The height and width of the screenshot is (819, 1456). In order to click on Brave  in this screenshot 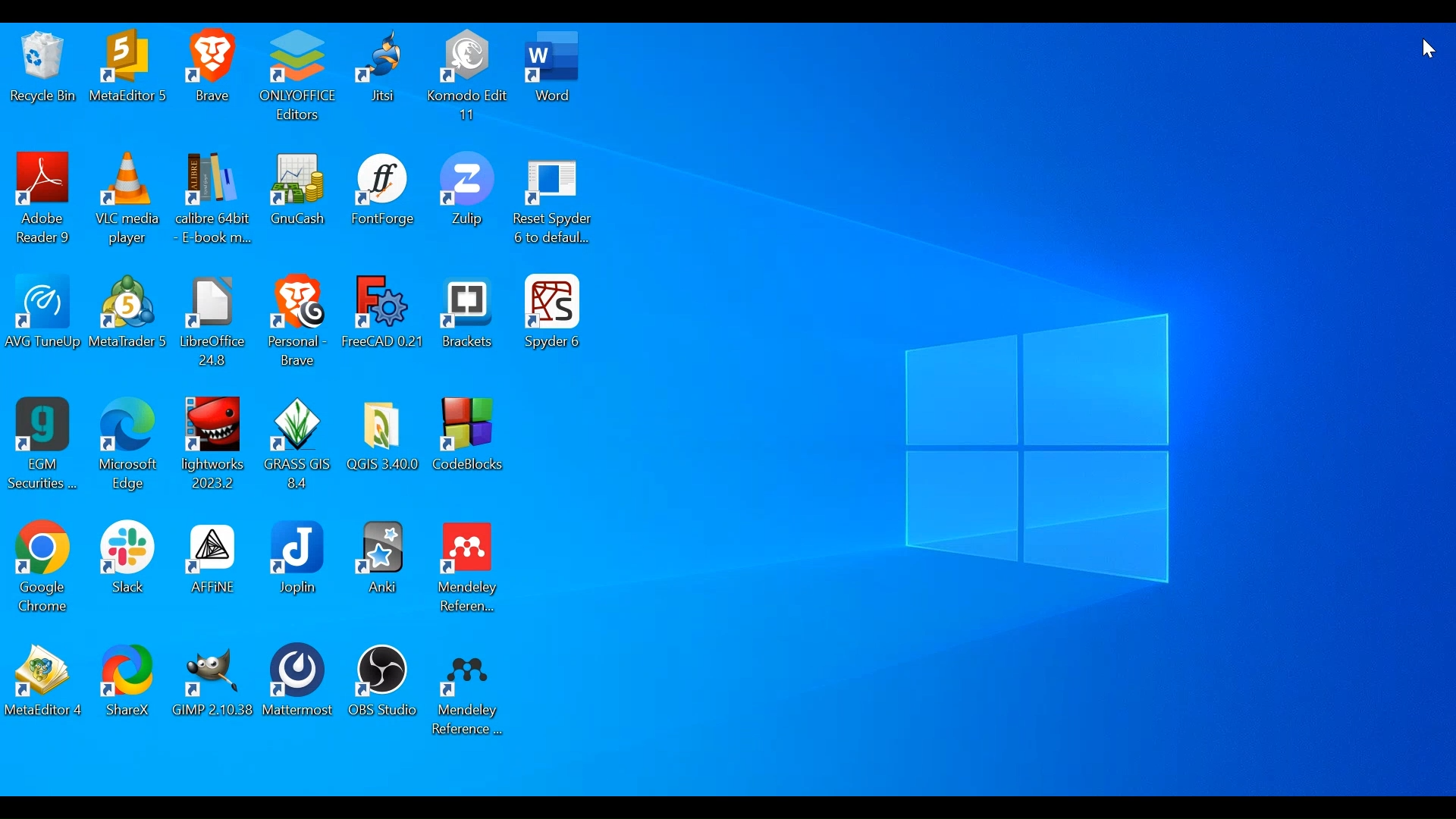, I will do `click(213, 76)`.